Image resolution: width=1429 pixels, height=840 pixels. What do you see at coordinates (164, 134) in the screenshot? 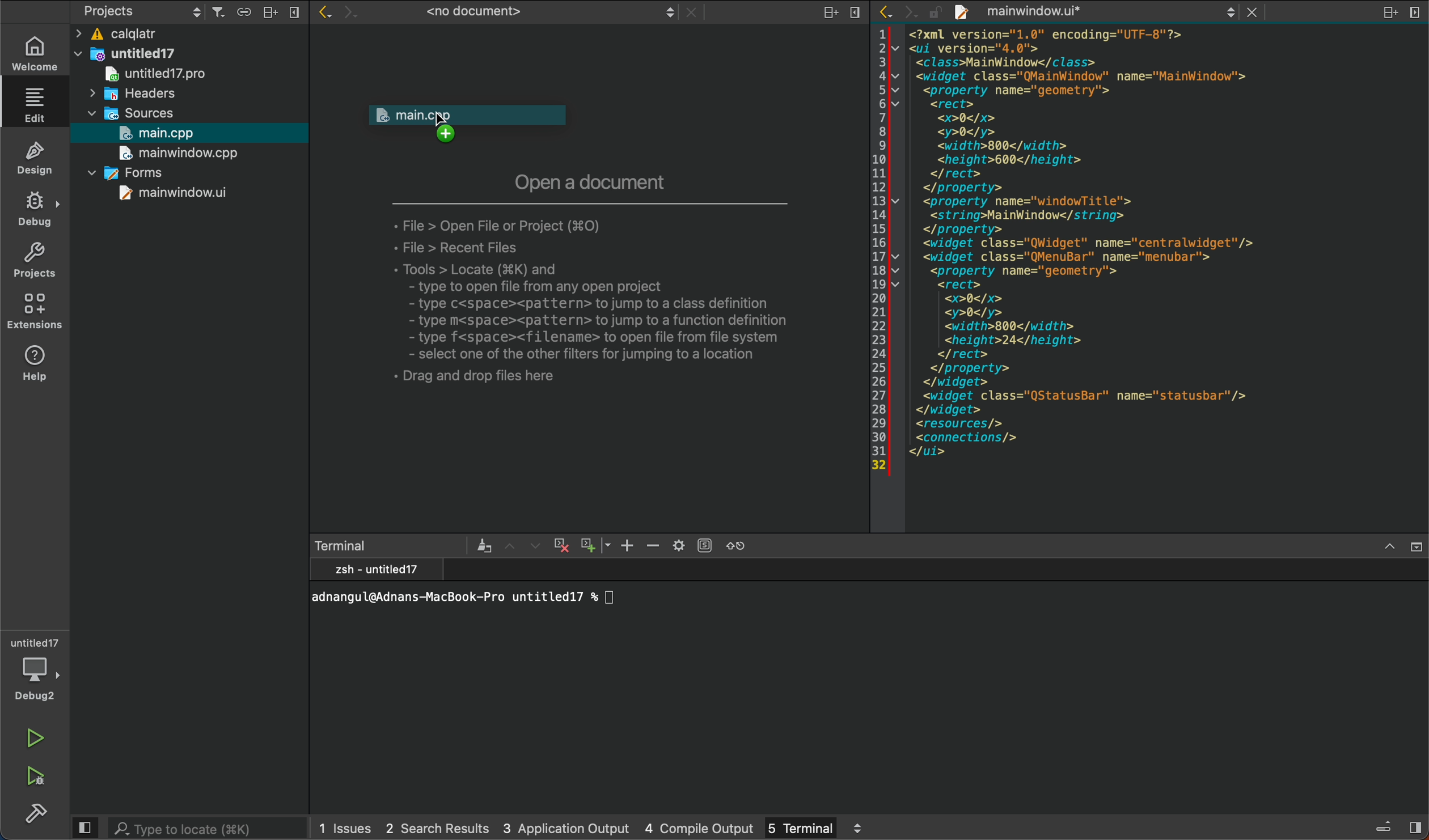
I see `main,cpp` at bounding box center [164, 134].